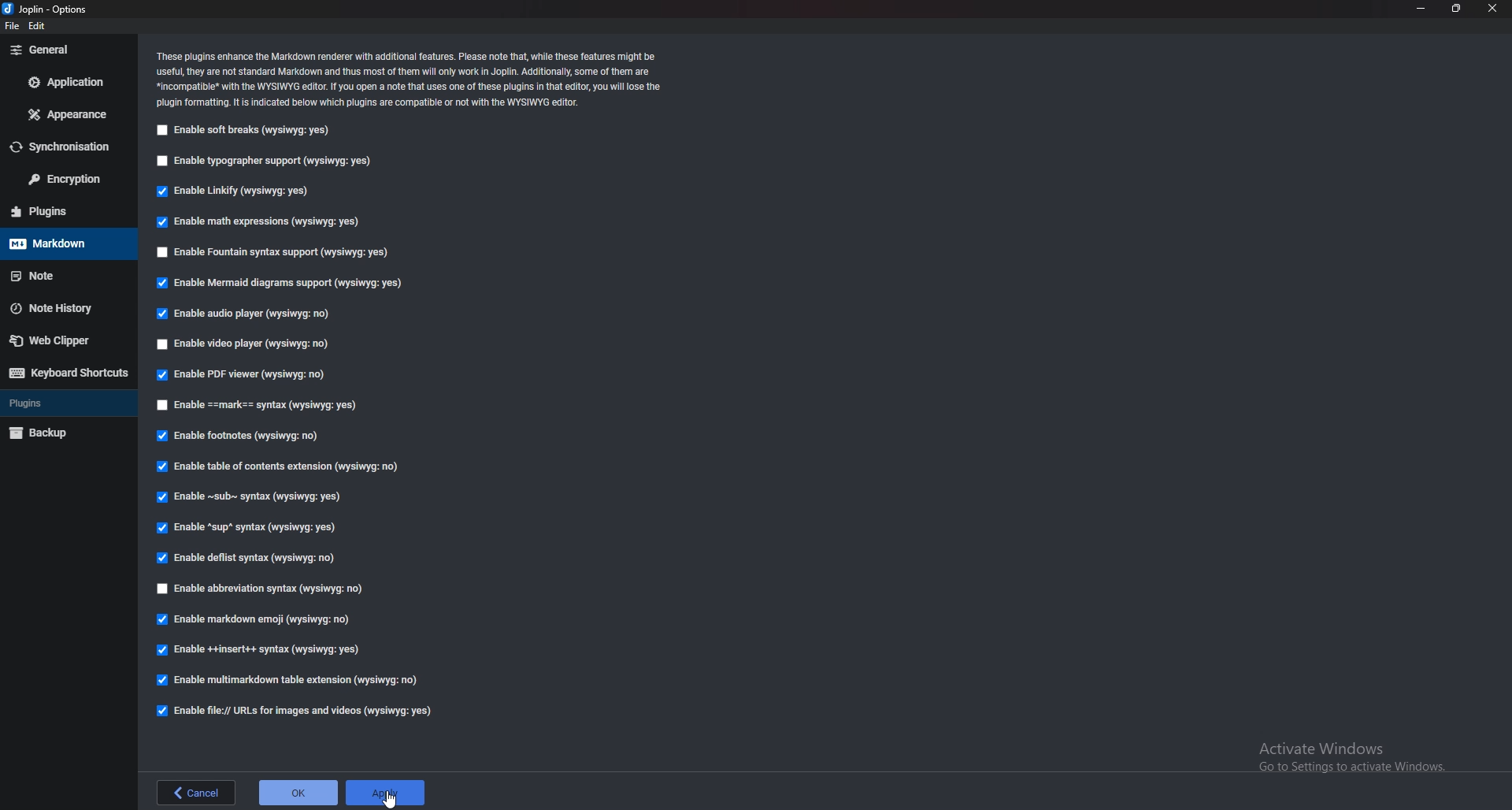 This screenshot has width=1512, height=810. Describe the element at coordinates (69, 84) in the screenshot. I see `Application` at that location.